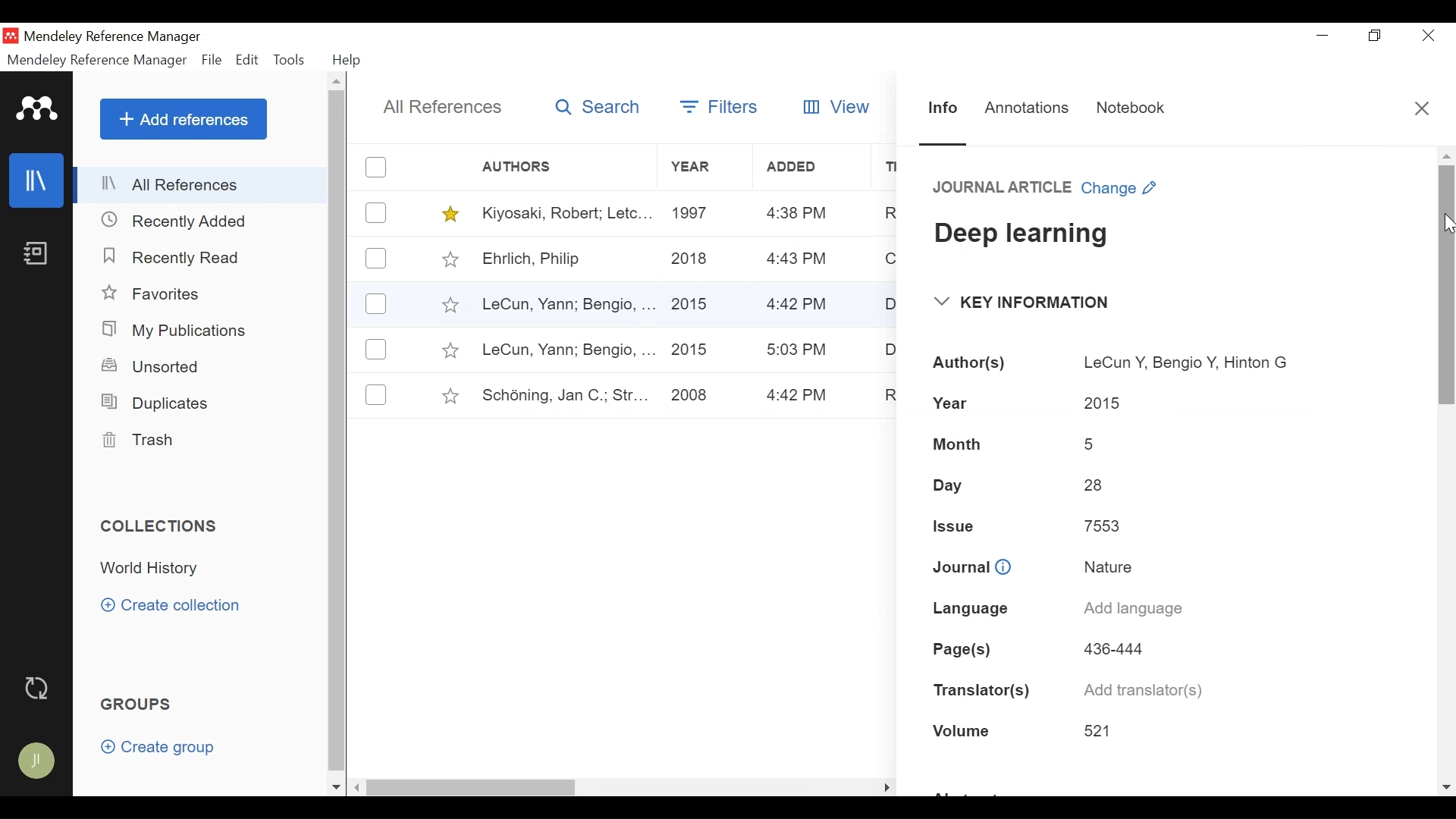 The width and height of the screenshot is (1456, 819). I want to click on 4:43 PM, so click(798, 259).